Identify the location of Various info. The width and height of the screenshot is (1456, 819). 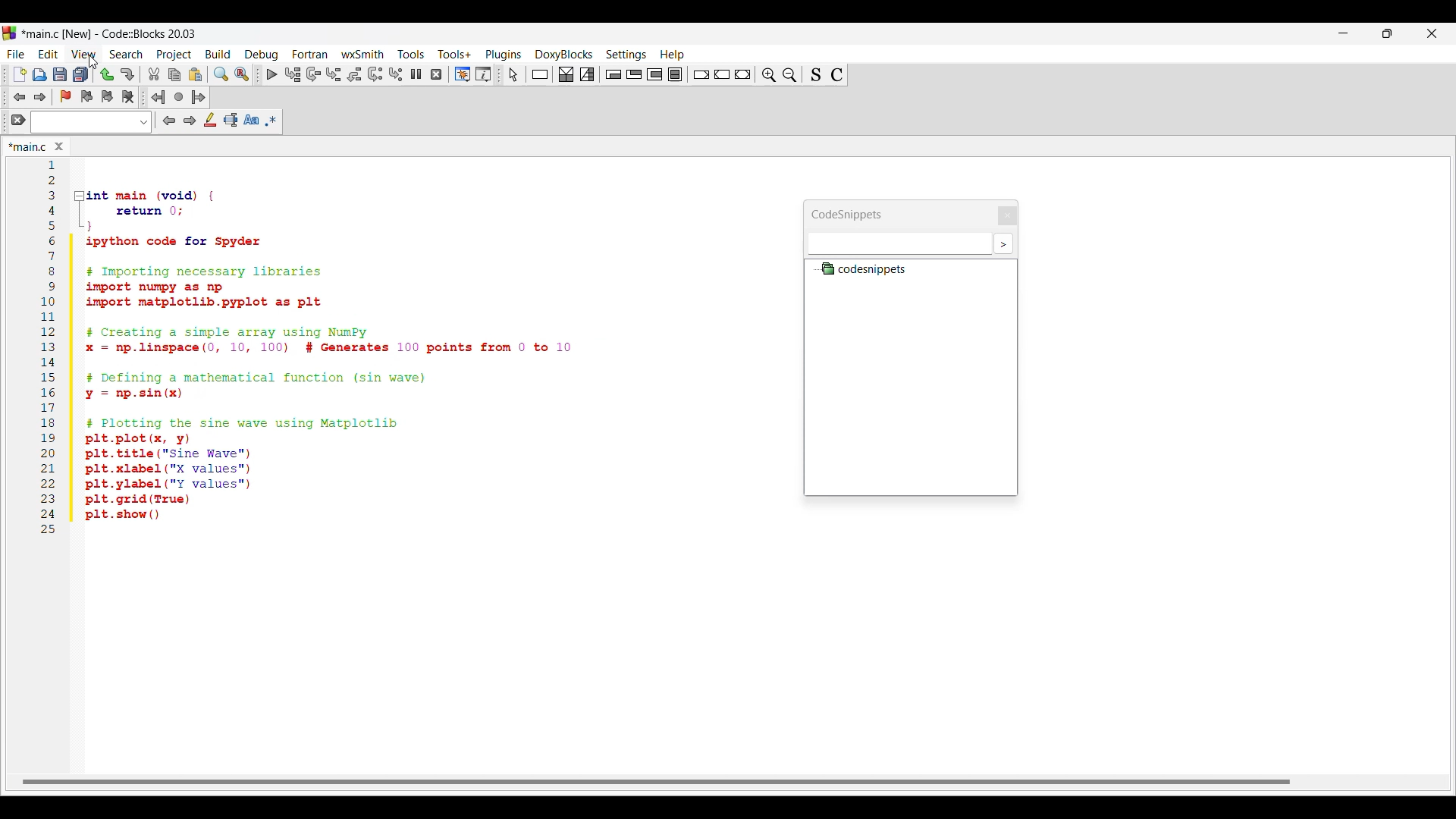
(483, 74).